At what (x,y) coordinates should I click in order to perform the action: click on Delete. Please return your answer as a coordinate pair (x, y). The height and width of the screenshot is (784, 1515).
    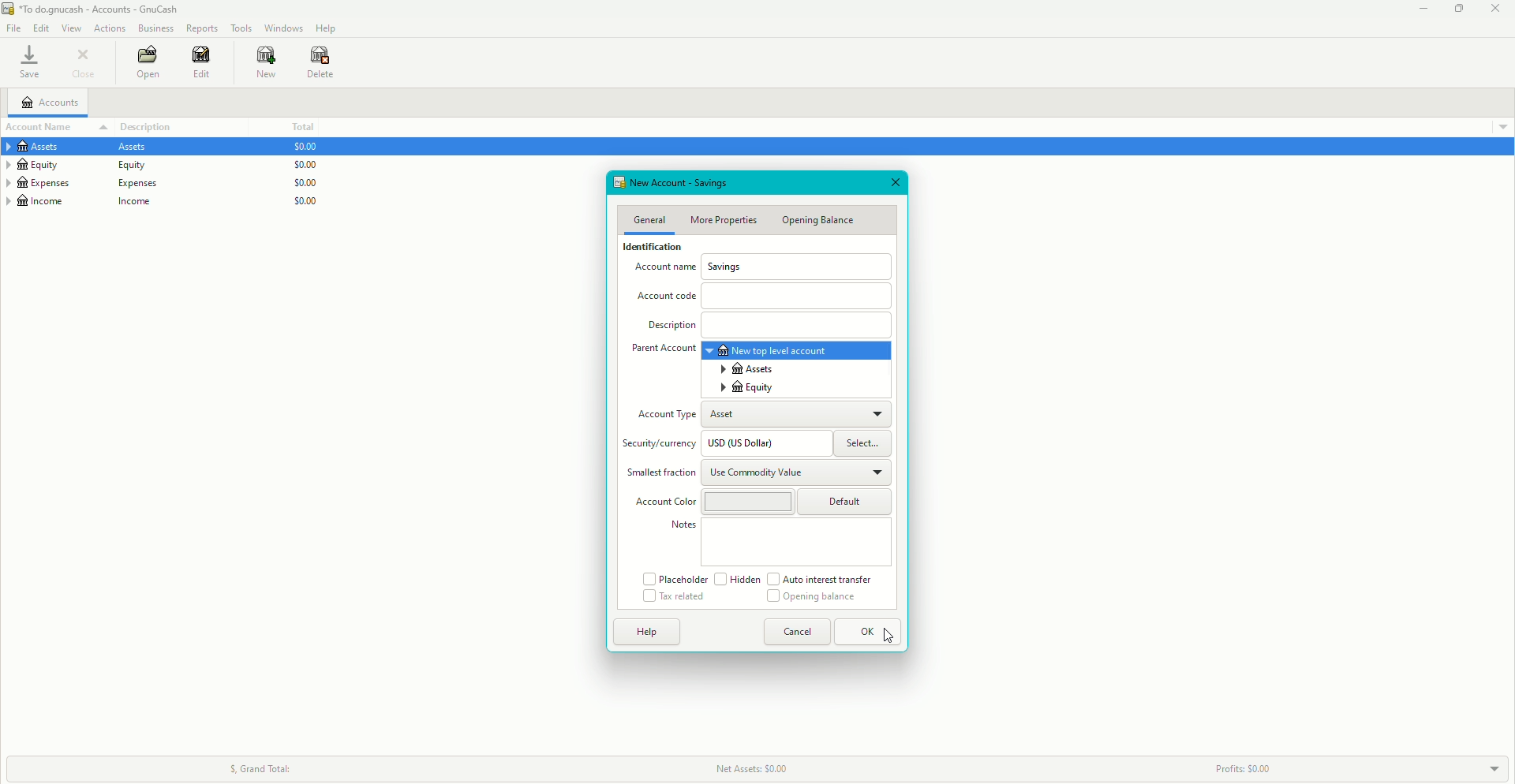
    Looking at the image, I should click on (320, 62).